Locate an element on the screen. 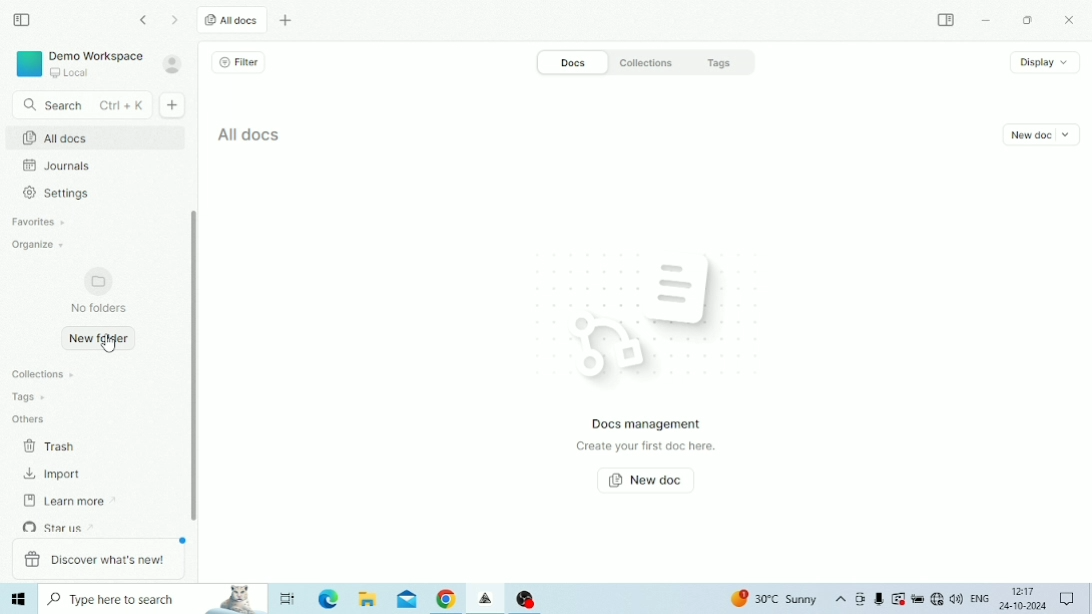  Journals is located at coordinates (57, 165).